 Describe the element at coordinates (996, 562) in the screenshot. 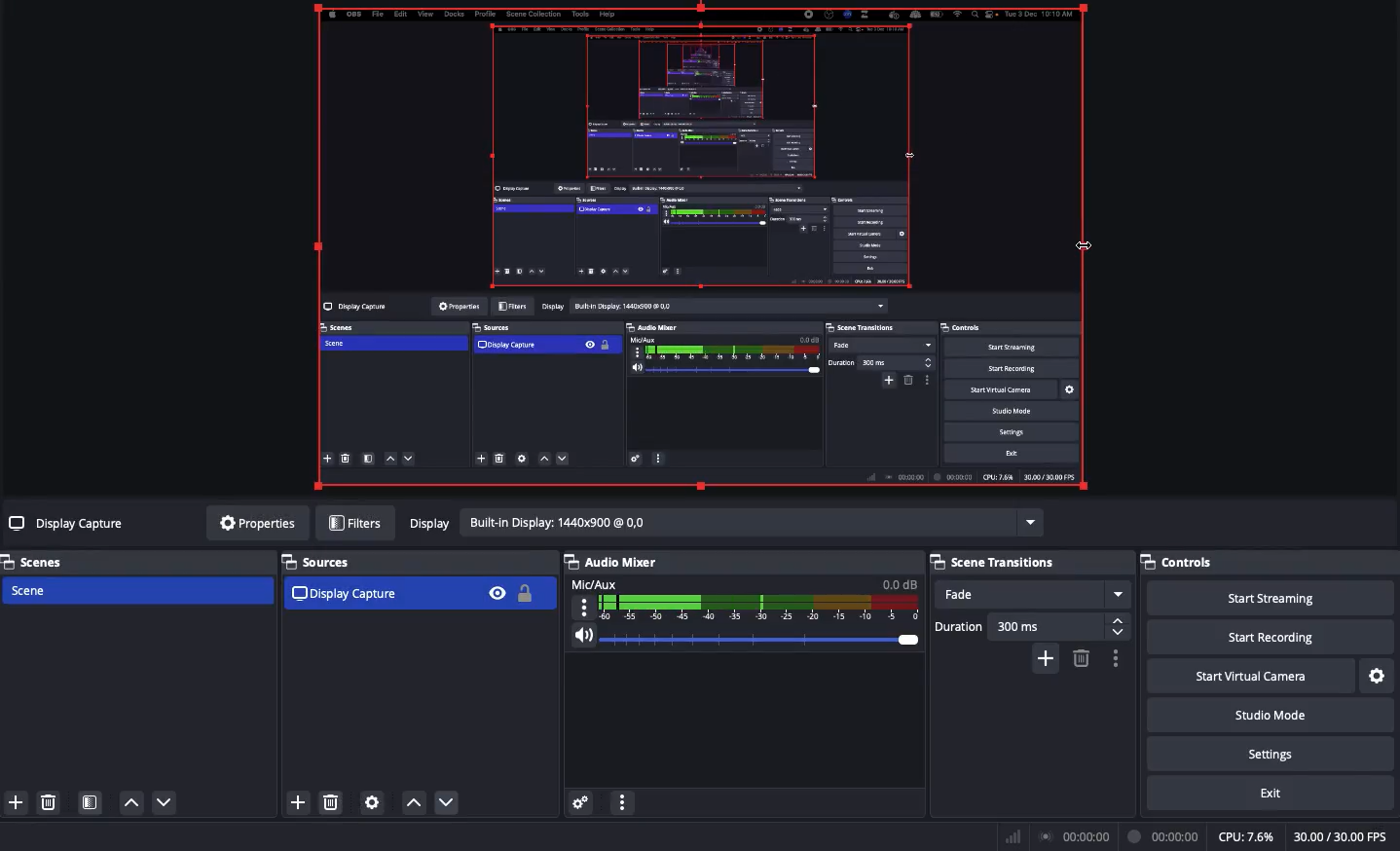

I see `Scene transition` at that location.